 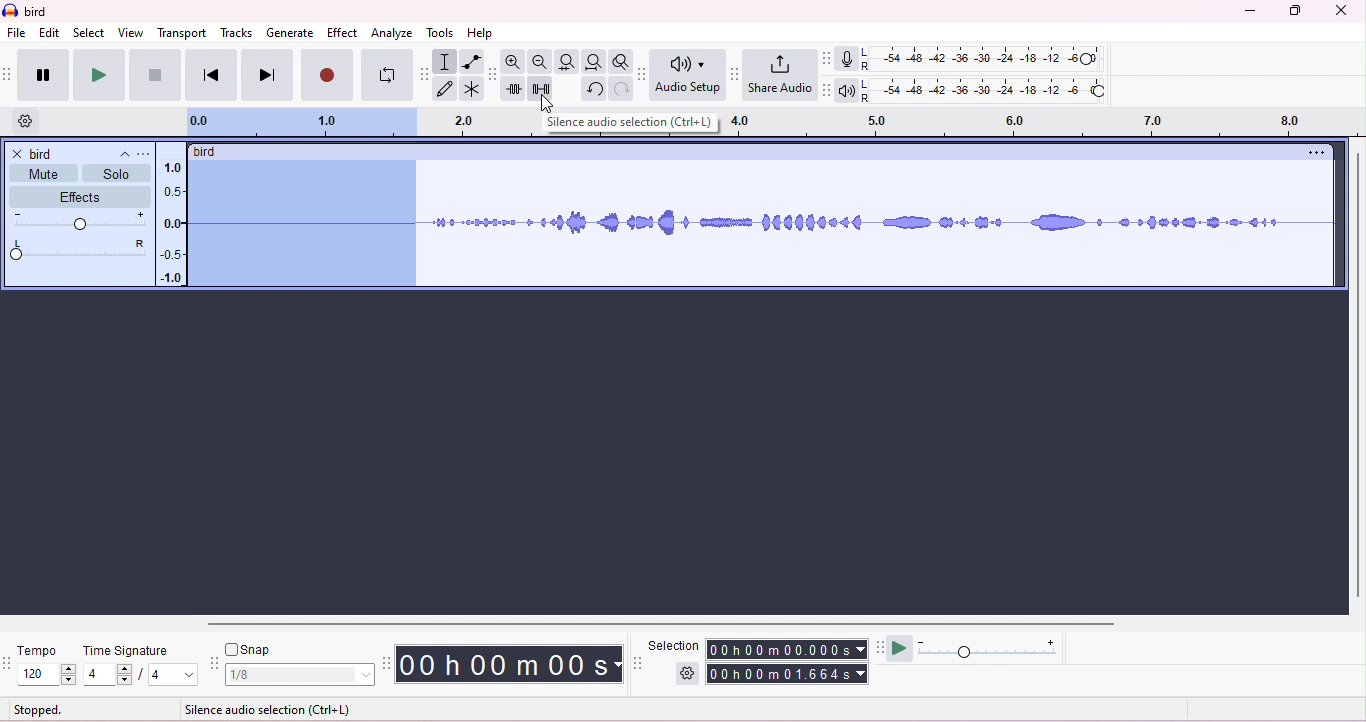 I want to click on pan, so click(x=79, y=250).